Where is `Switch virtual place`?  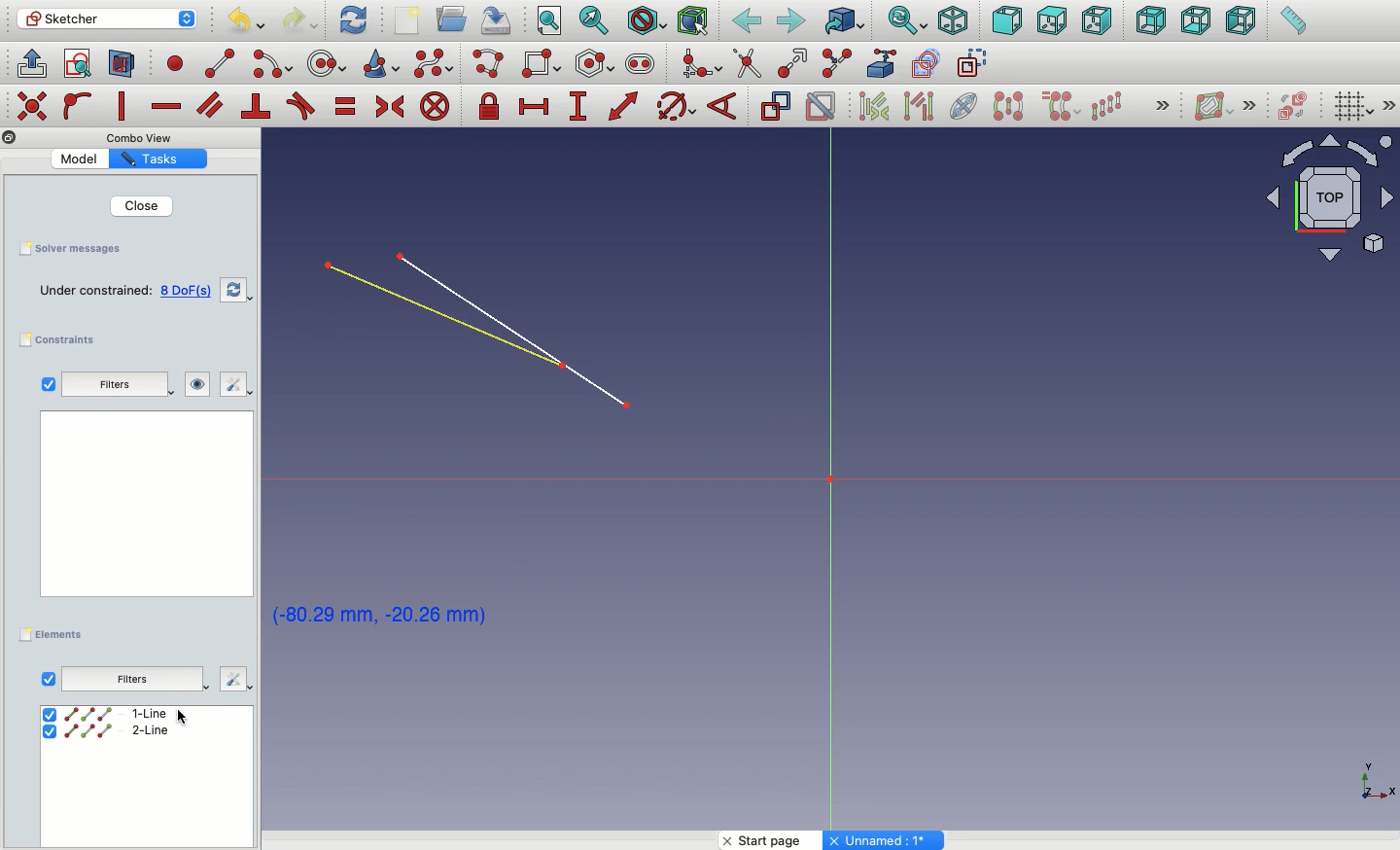 Switch virtual place is located at coordinates (1294, 106).